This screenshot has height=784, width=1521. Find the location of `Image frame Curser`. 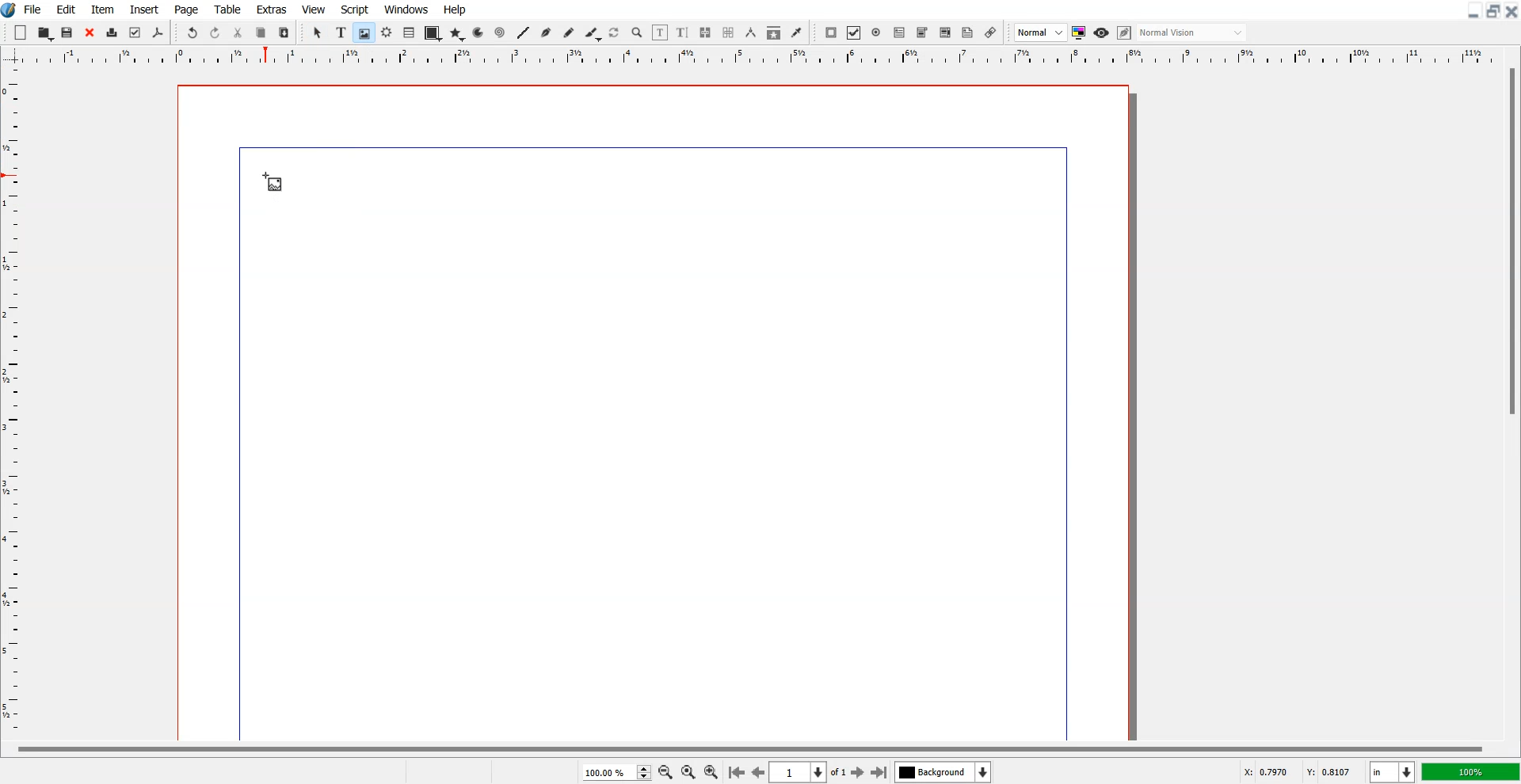

Image frame Curser is located at coordinates (273, 182).